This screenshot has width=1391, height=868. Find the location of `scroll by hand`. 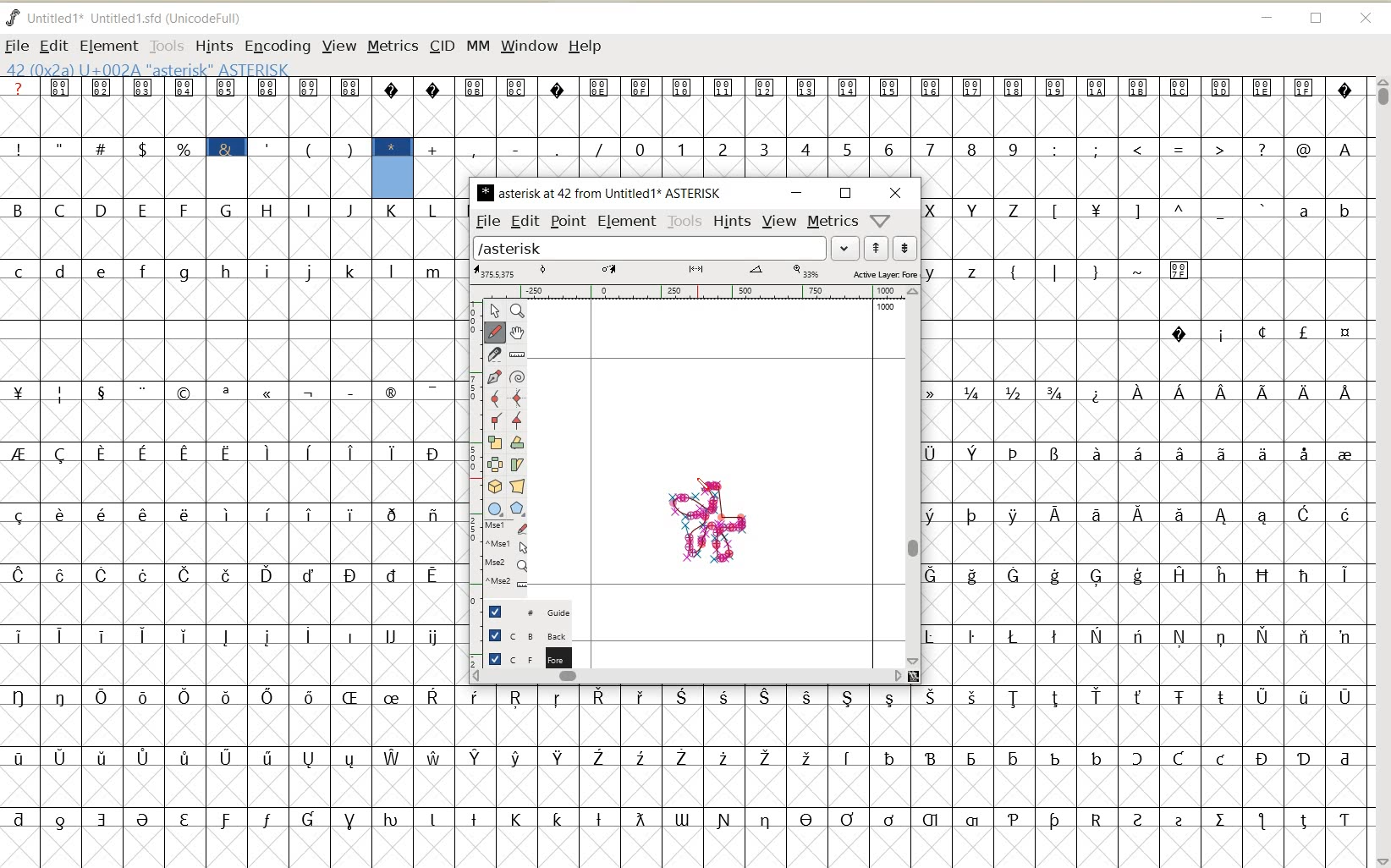

scroll by hand is located at coordinates (518, 334).